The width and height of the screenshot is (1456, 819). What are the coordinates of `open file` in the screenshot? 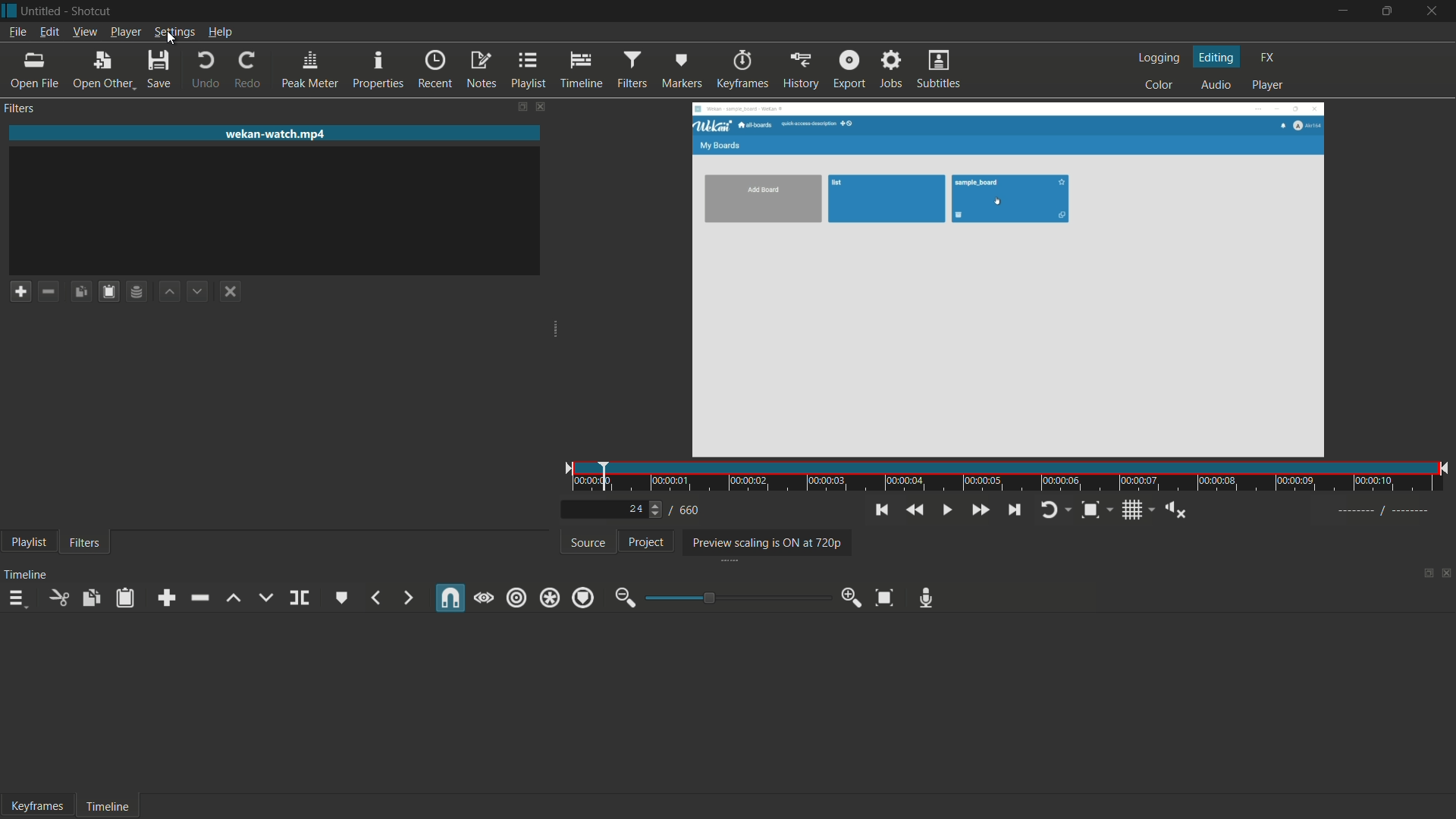 It's located at (32, 69).